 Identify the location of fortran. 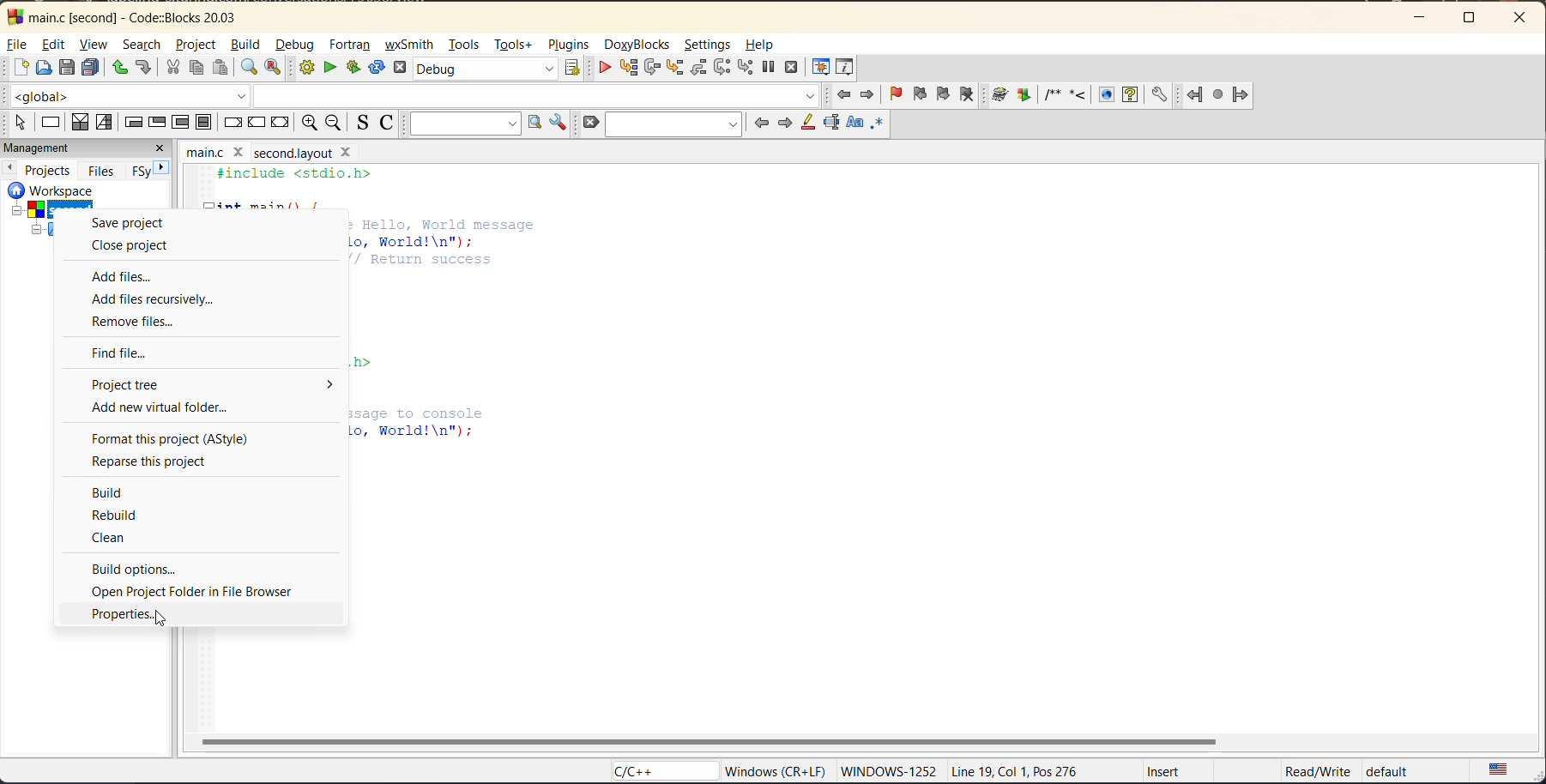
(351, 42).